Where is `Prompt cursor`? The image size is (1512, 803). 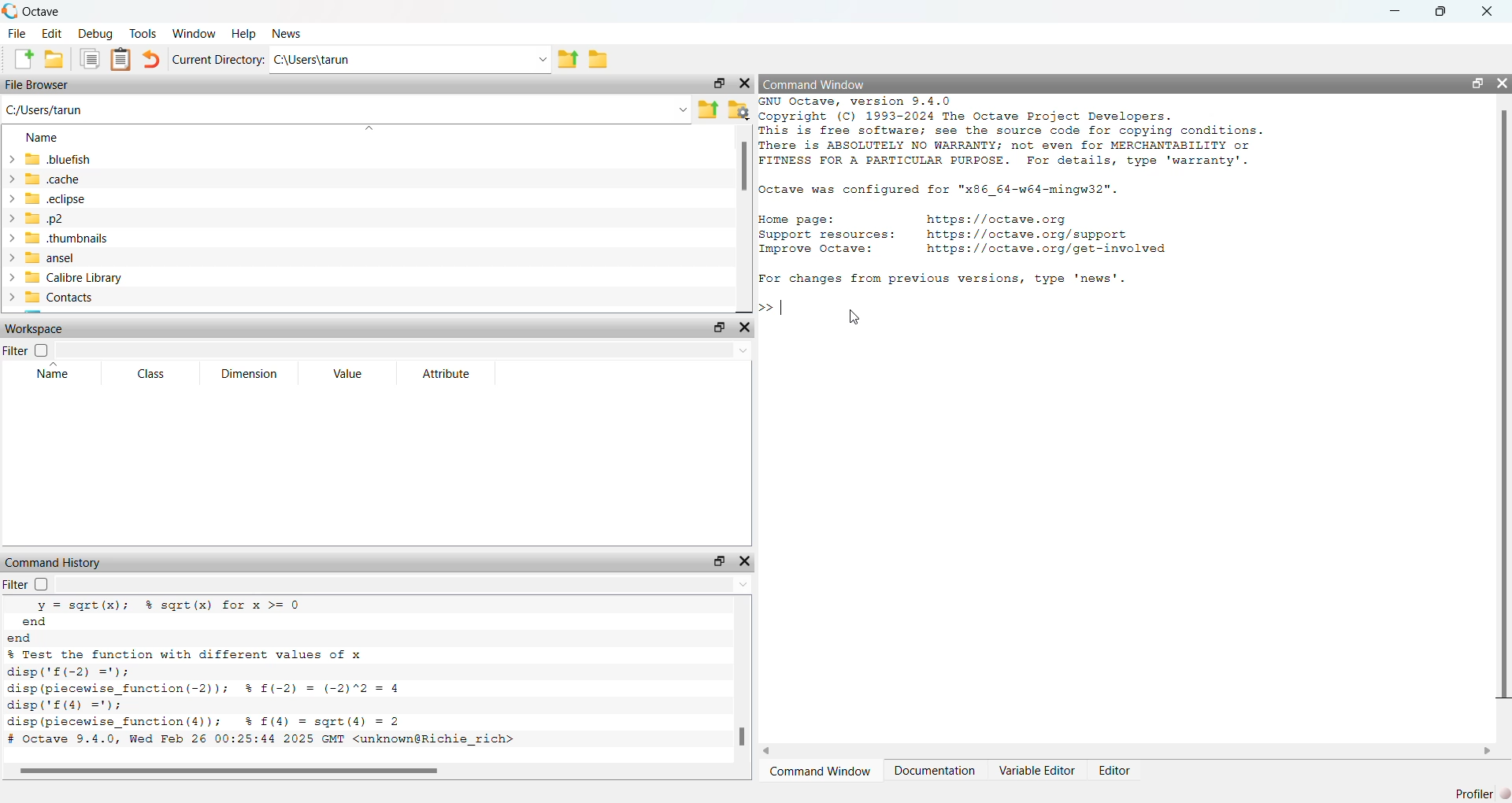
Prompt cursor is located at coordinates (774, 307).